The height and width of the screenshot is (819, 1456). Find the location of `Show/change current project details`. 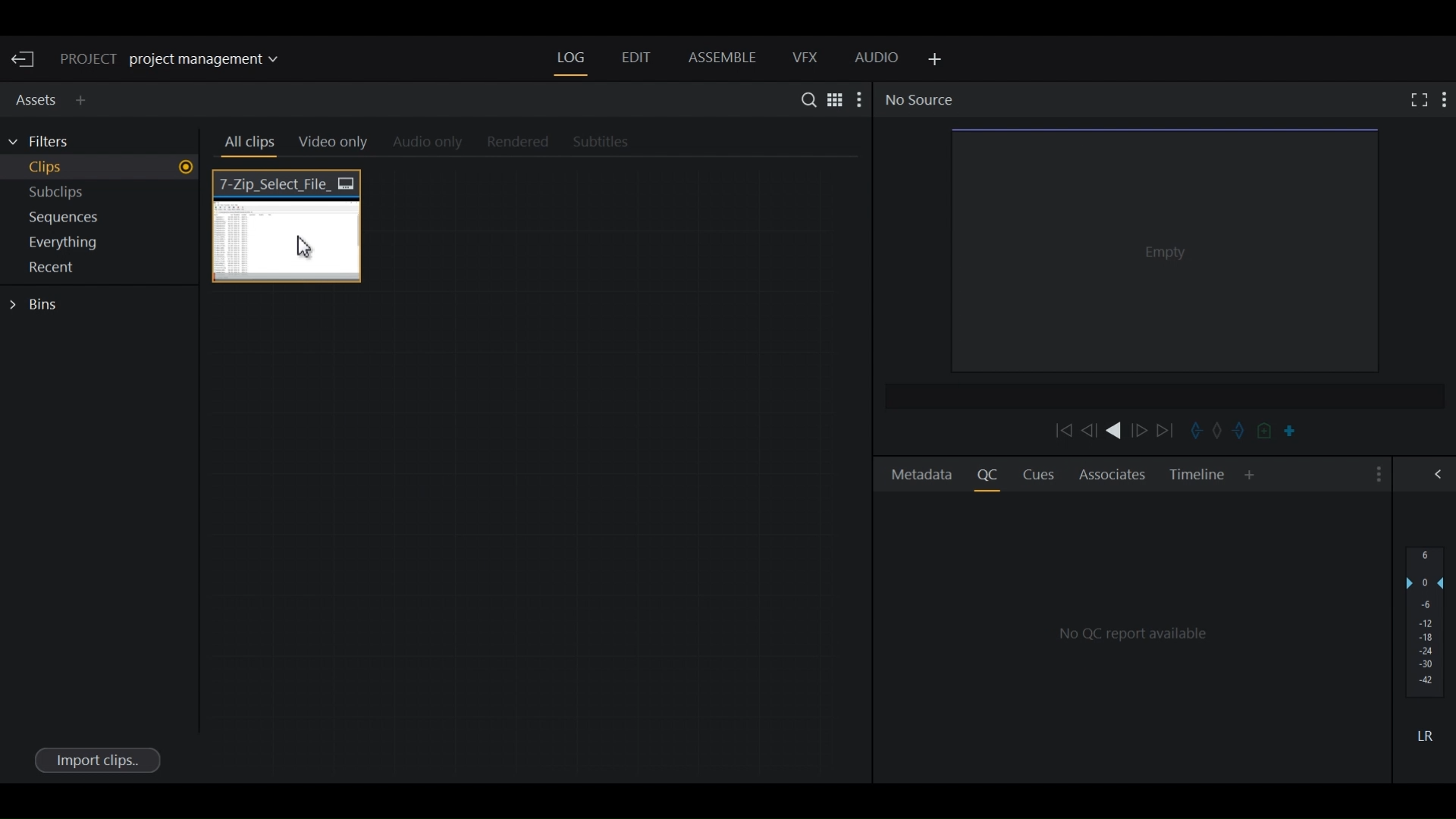

Show/change current project details is located at coordinates (180, 60).